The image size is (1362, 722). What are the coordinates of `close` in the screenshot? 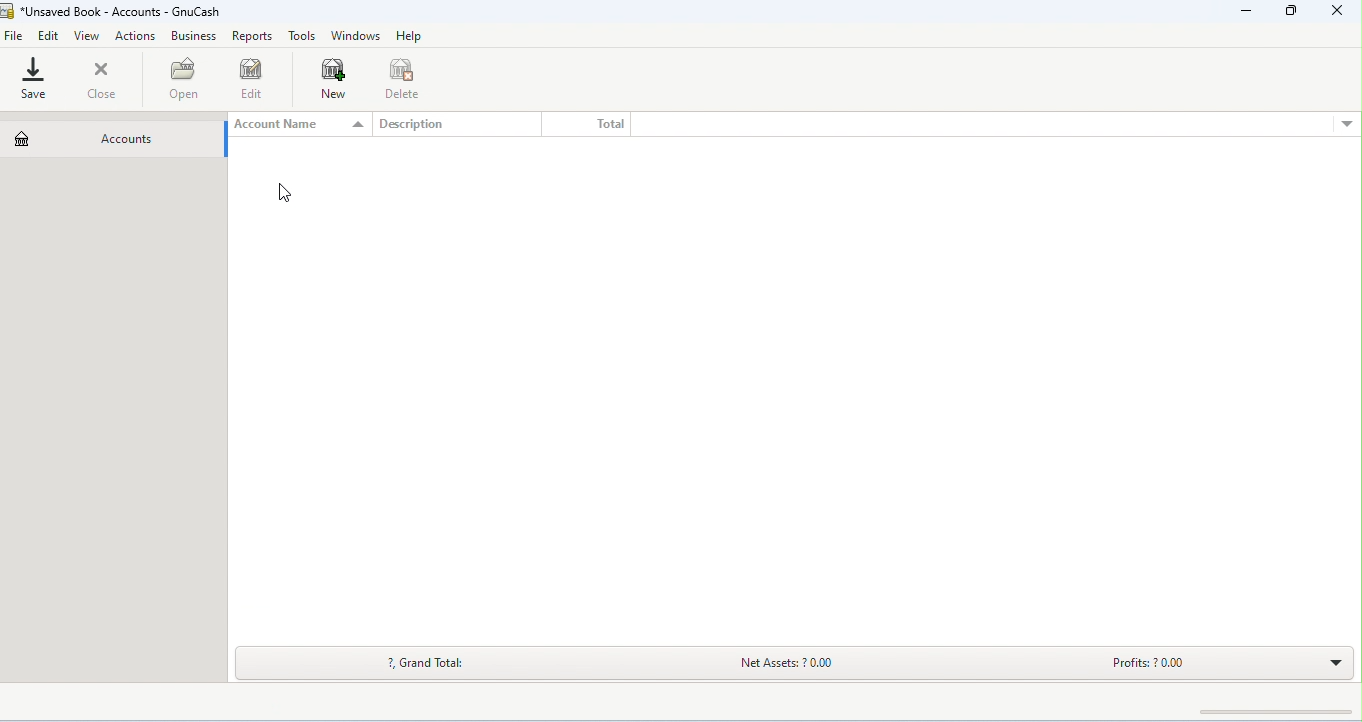 It's located at (1339, 10).